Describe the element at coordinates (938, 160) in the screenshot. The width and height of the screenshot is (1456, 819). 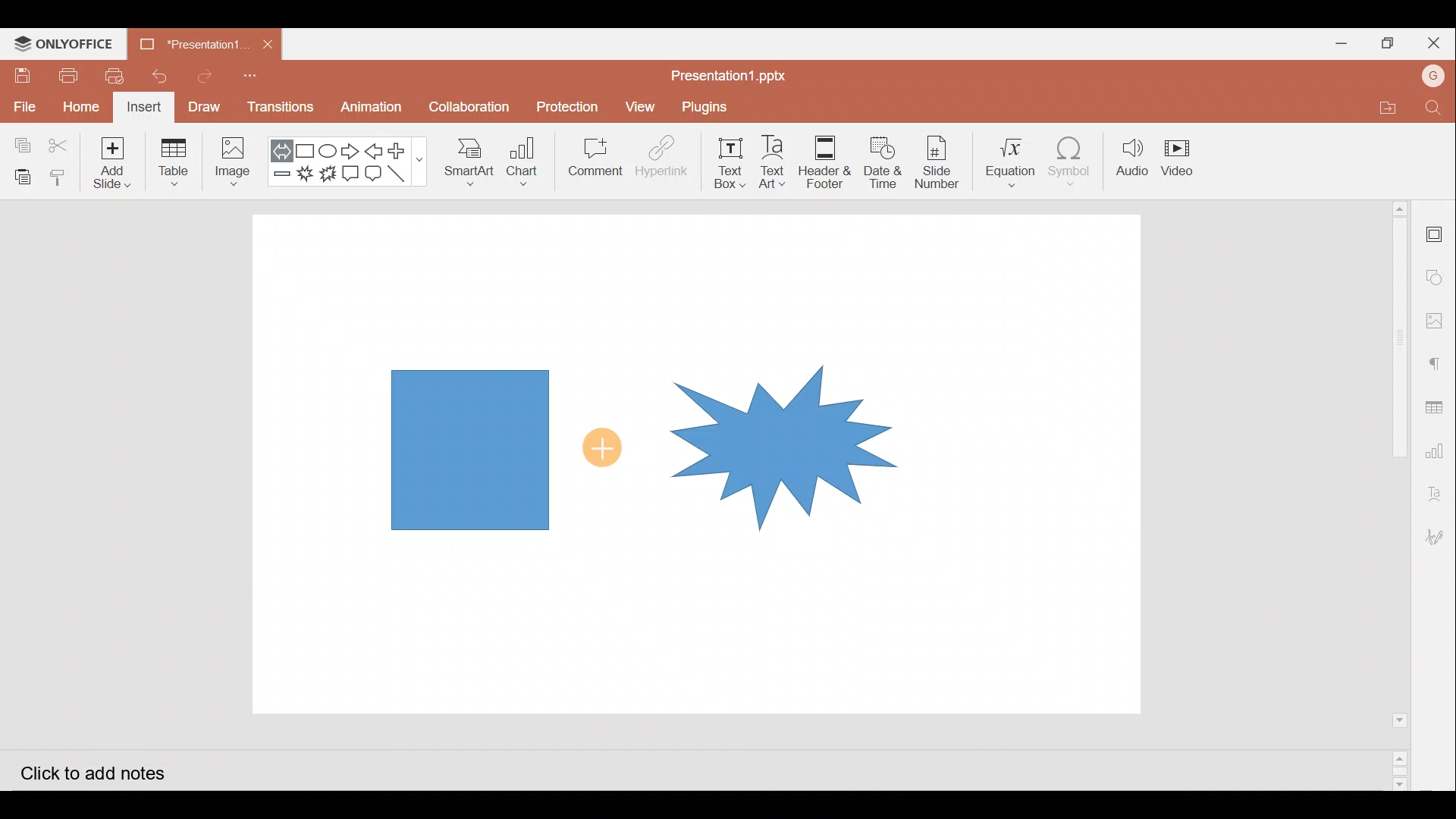
I see `Slide number` at that location.